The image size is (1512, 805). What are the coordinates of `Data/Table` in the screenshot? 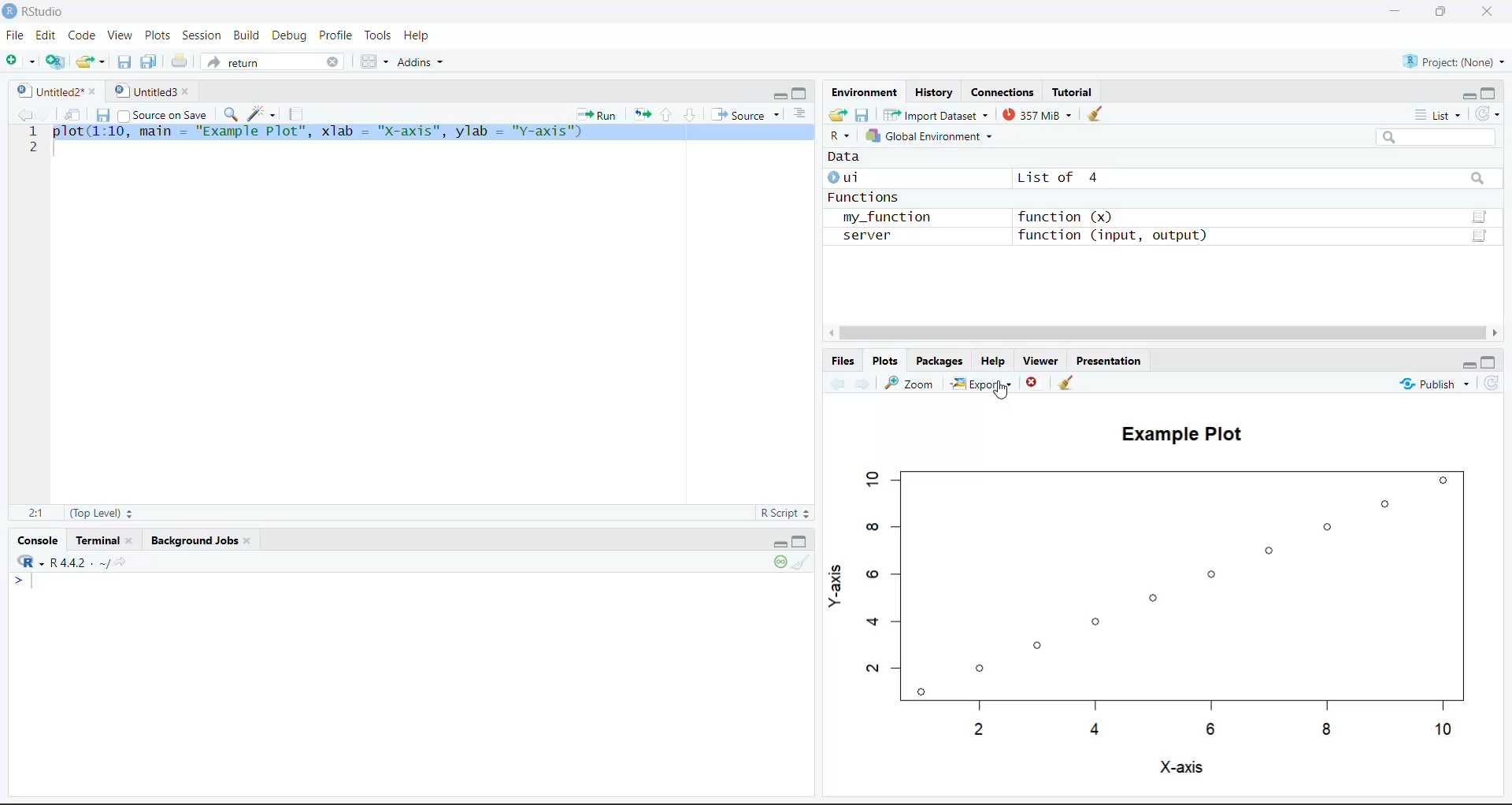 It's located at (1480, 217).